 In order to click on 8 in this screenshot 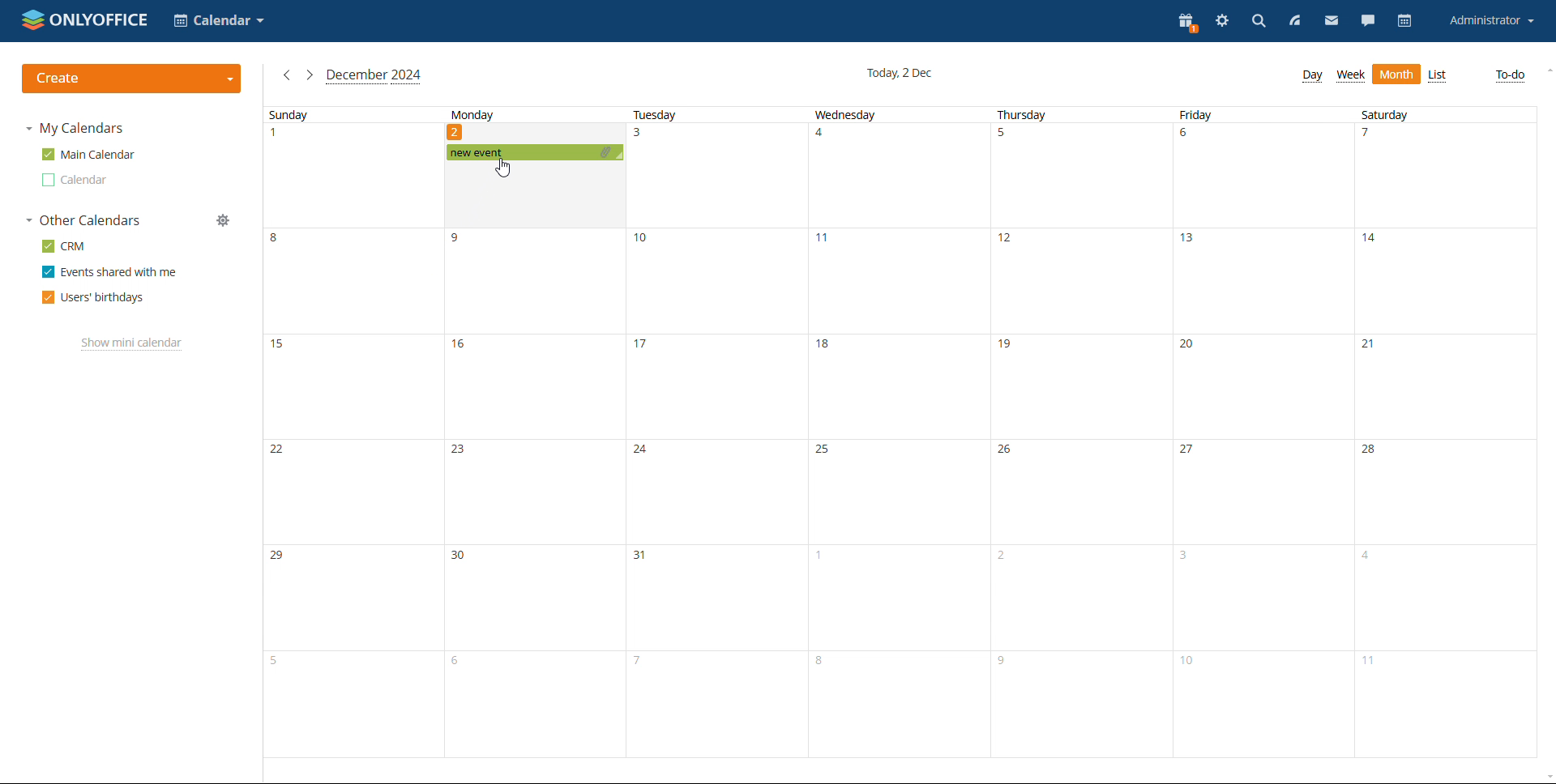, I will do `click(281, 242)`.